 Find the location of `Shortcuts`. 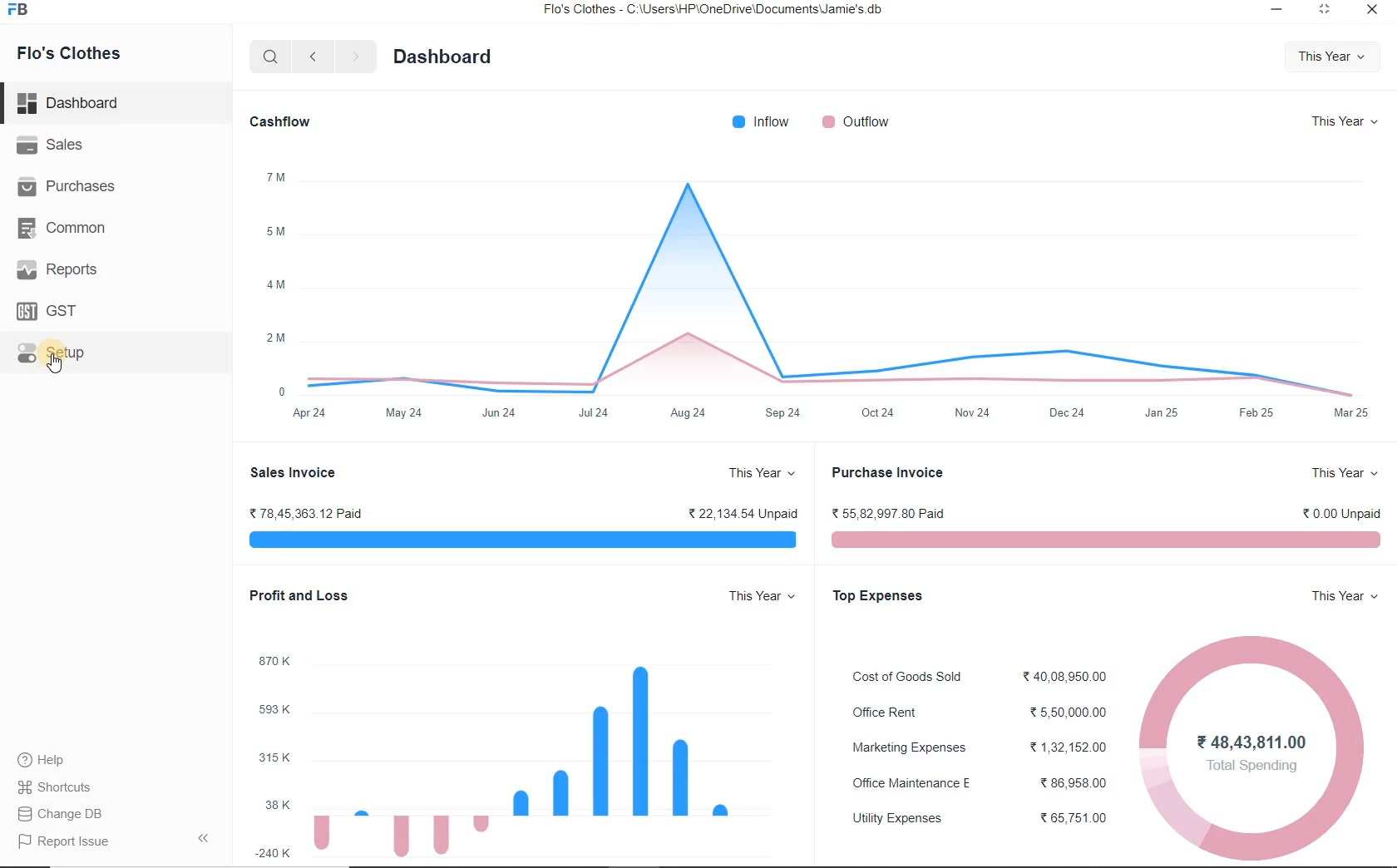

Shortcuts is located at coordinates (55, 788).